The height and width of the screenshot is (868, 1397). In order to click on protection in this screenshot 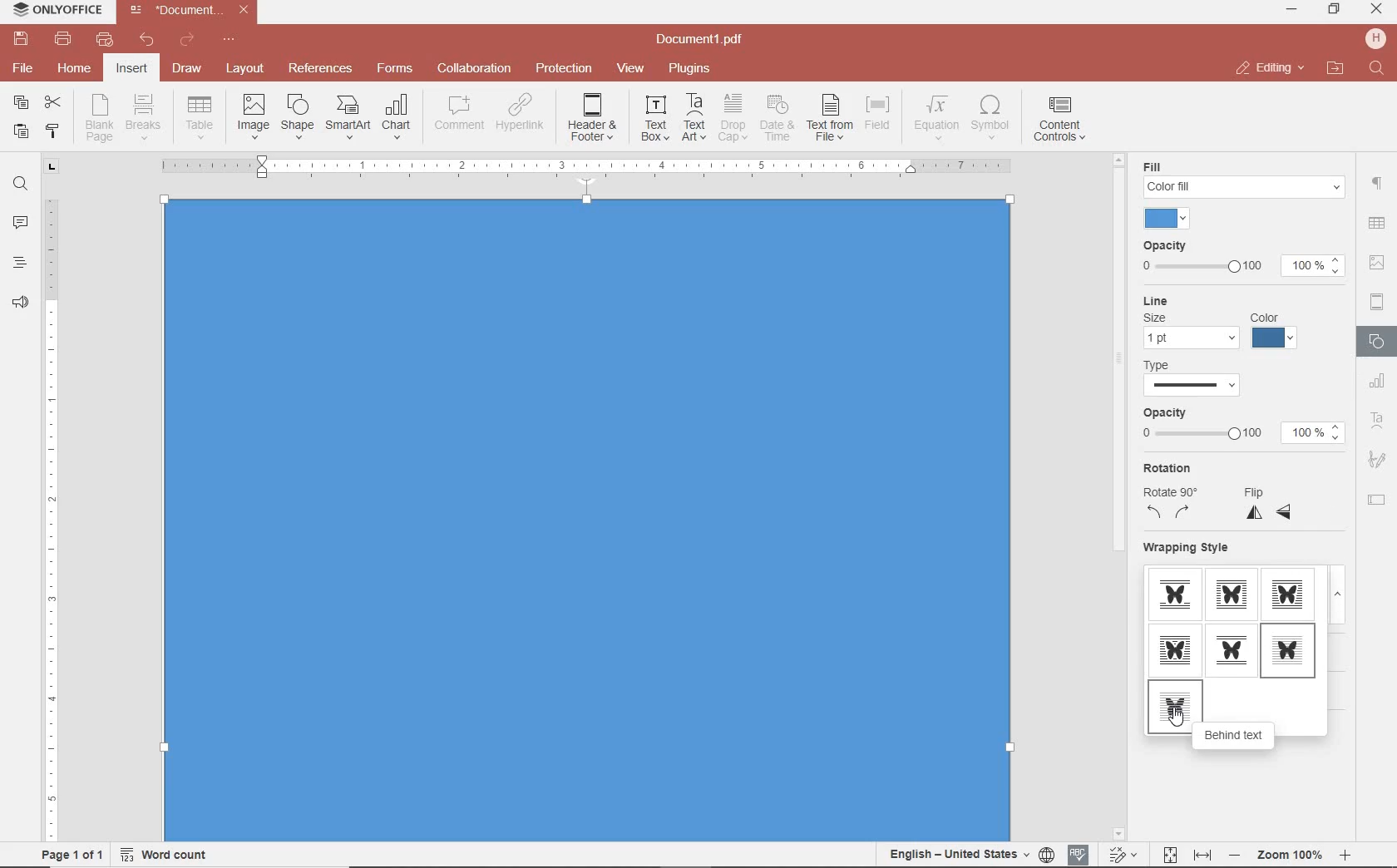, I will do `click(565, 69)`.